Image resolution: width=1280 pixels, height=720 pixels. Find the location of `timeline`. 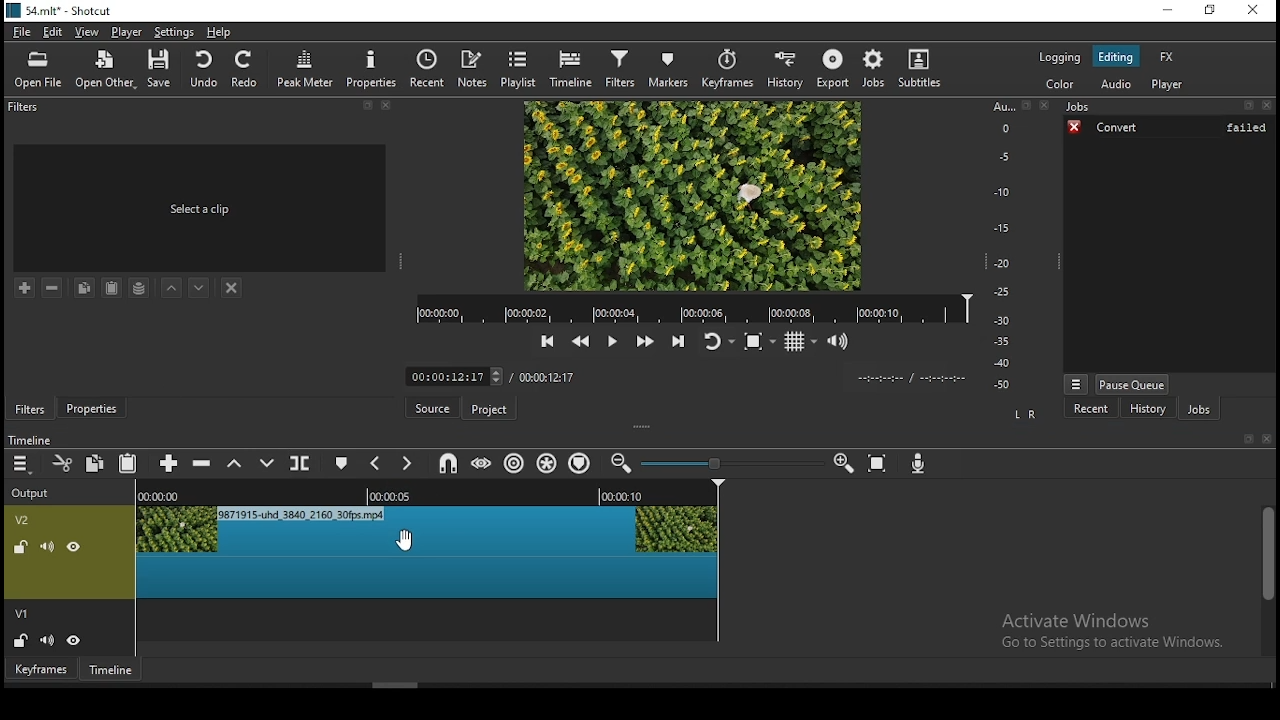

timeline is located at coordinates (436, 492).